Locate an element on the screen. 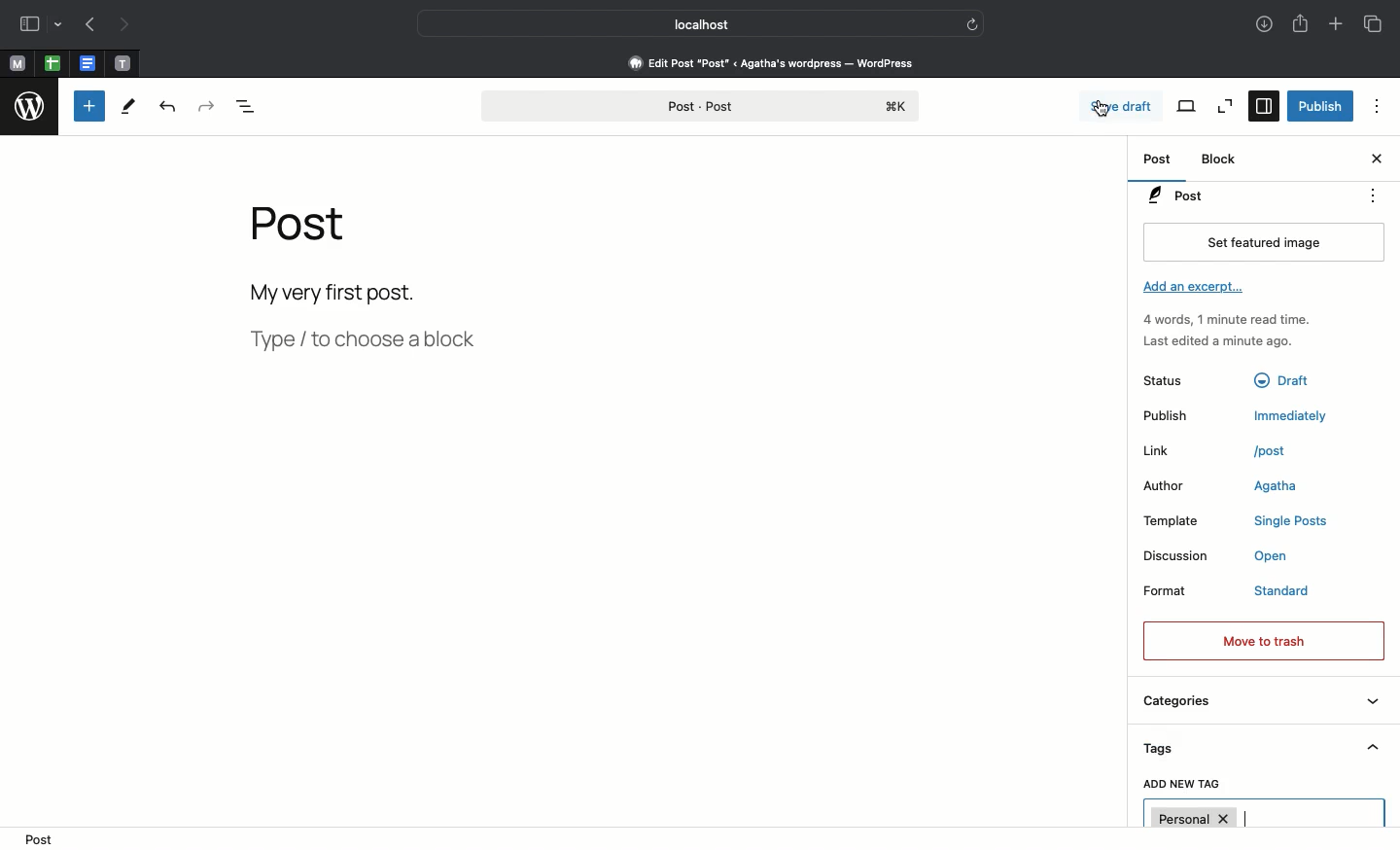  single posts is located at coordinates (1289, 521).